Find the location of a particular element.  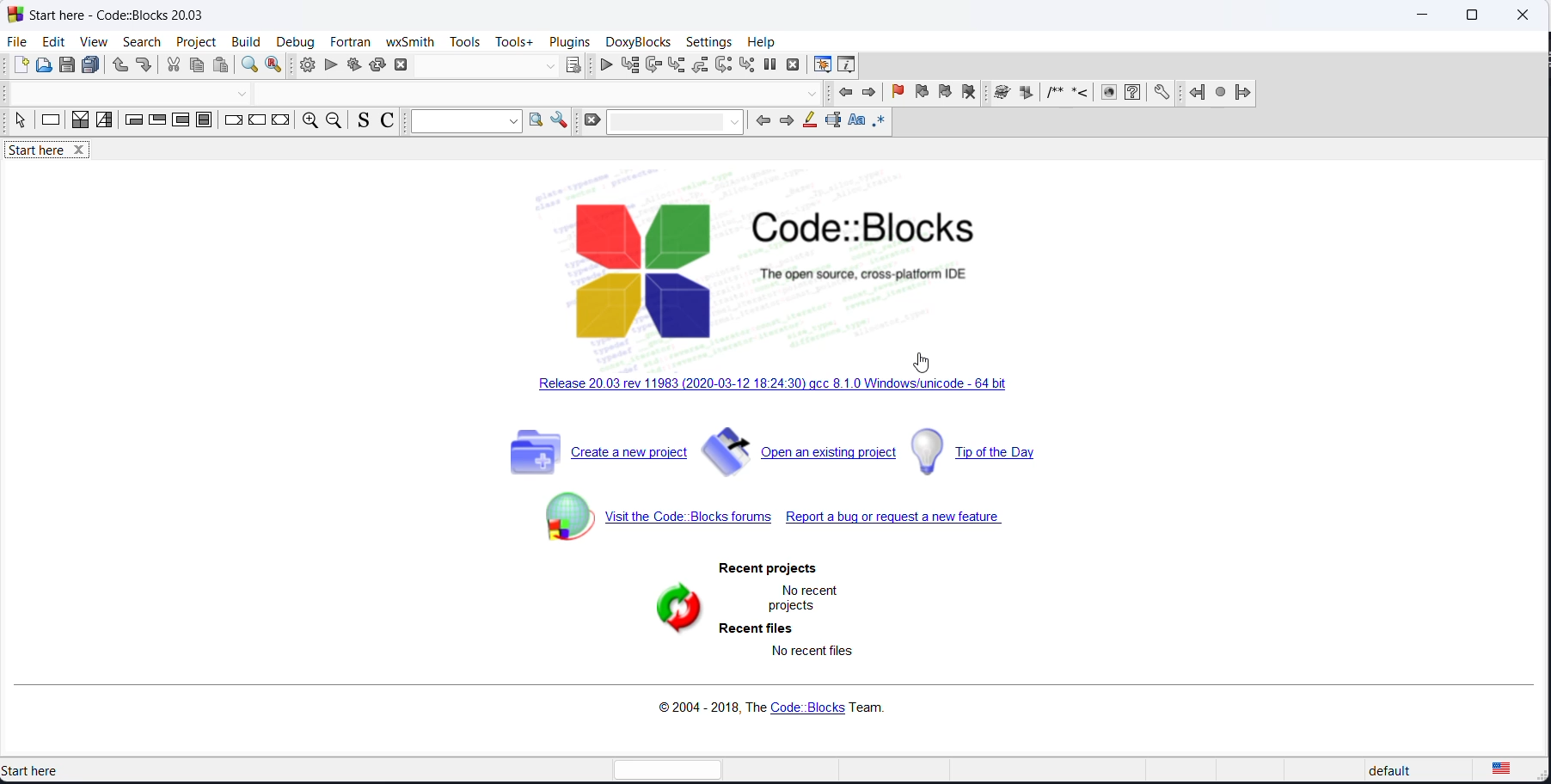

highlight is located at coordinates (808, 122).